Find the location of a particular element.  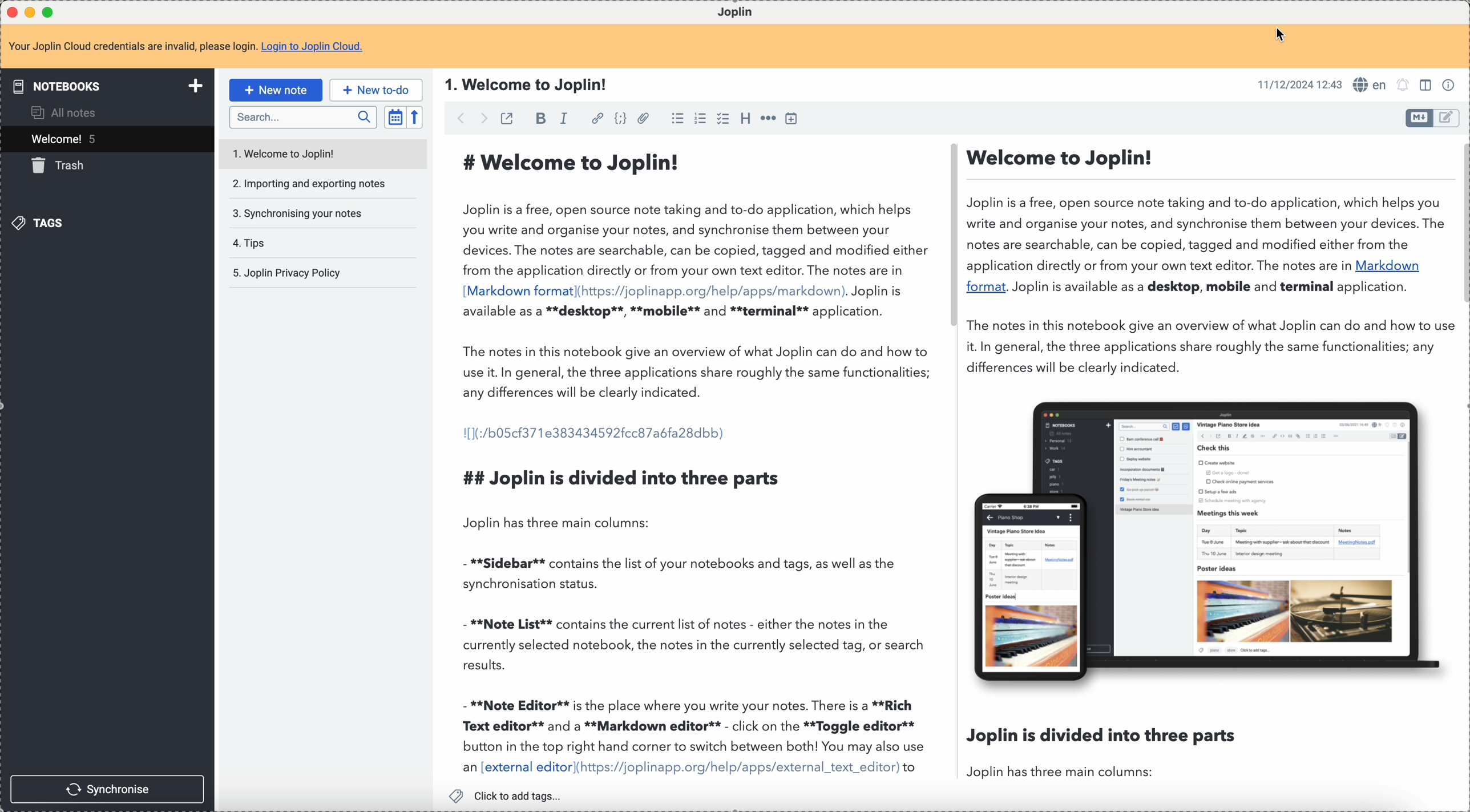

click to add tags is located at coordinates (509, 796).